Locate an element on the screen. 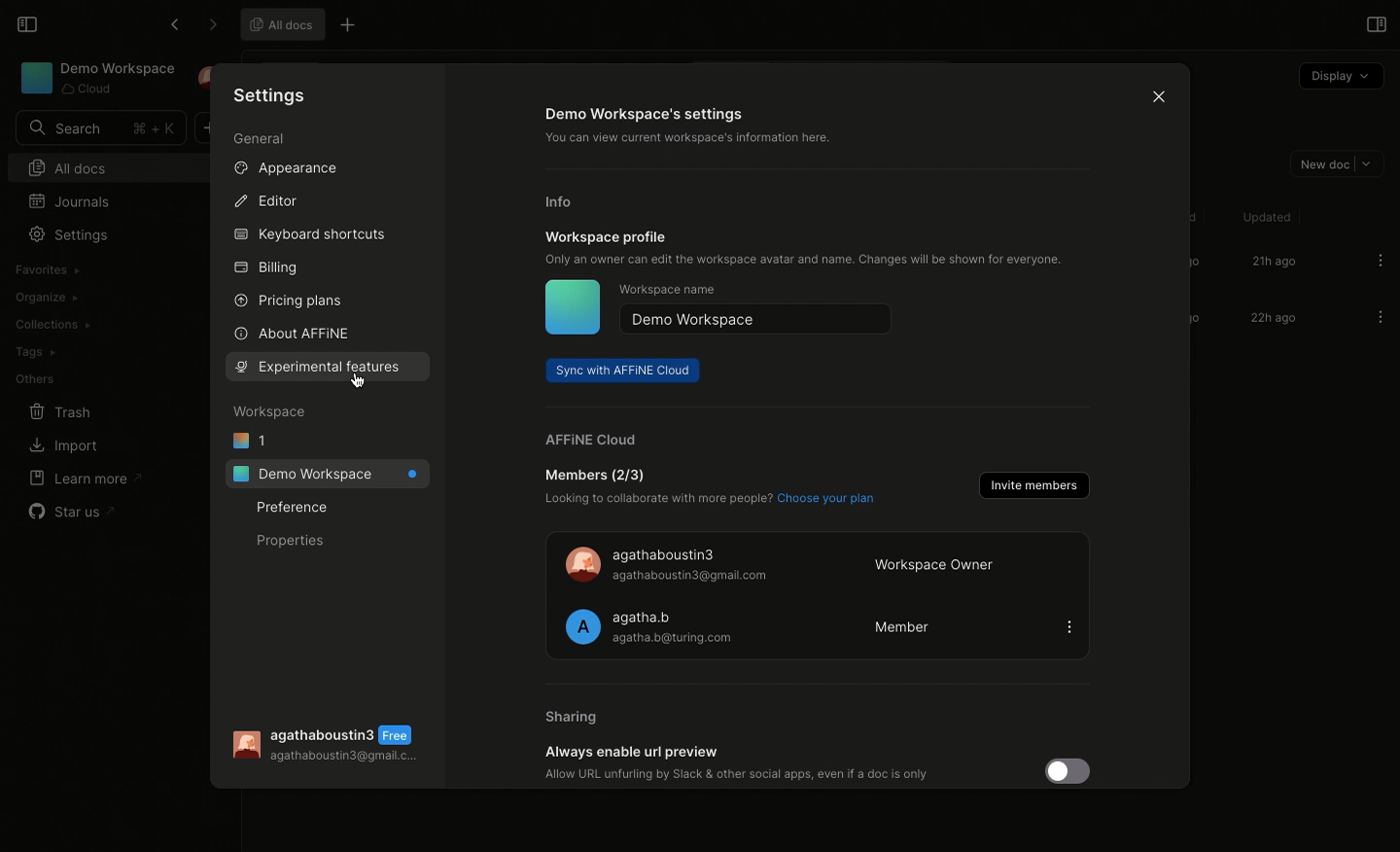 This screenshot has width=1400, height=852. Open right panel is located at coordinates (1374, 23).